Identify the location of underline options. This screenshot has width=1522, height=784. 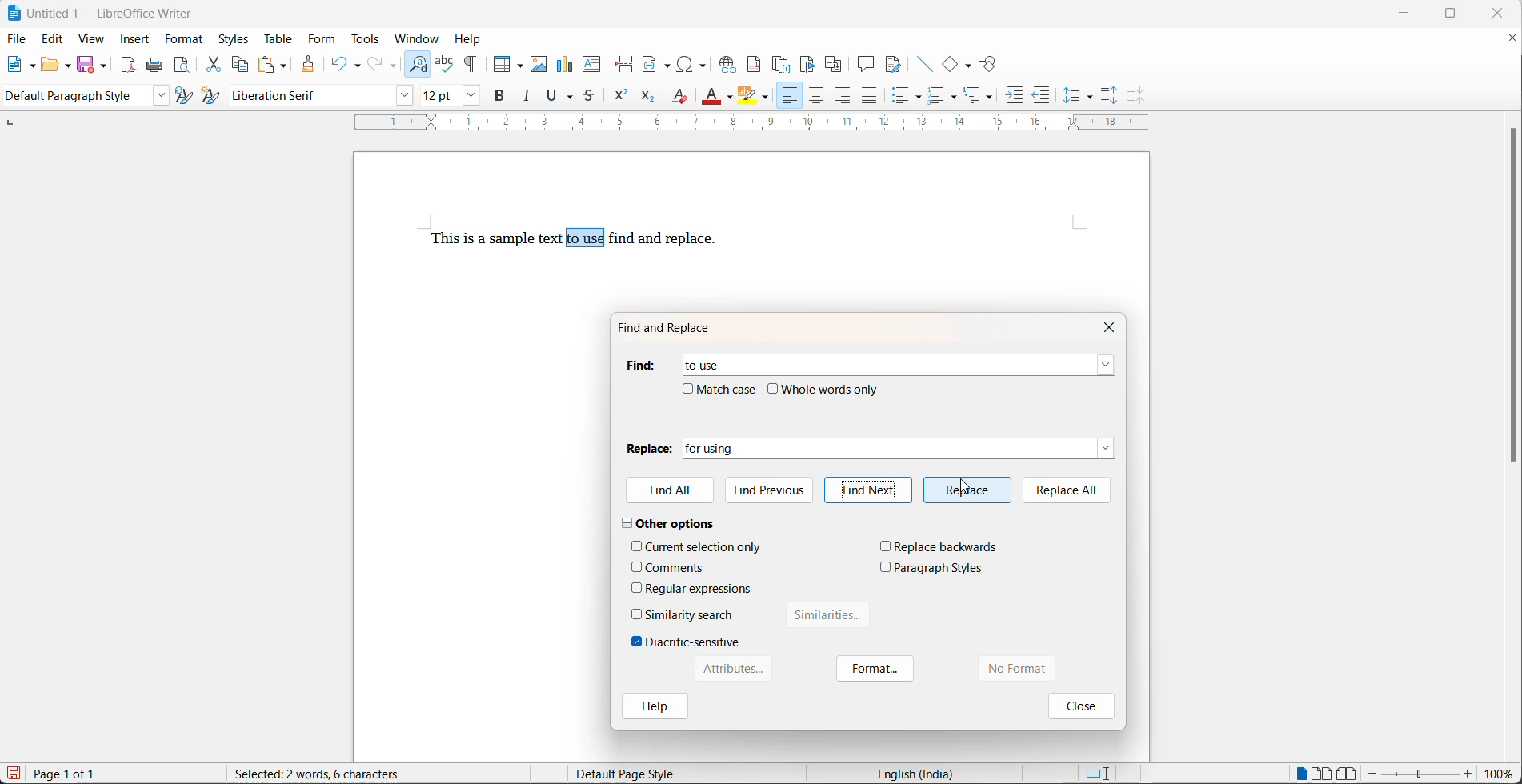
(571, 98).